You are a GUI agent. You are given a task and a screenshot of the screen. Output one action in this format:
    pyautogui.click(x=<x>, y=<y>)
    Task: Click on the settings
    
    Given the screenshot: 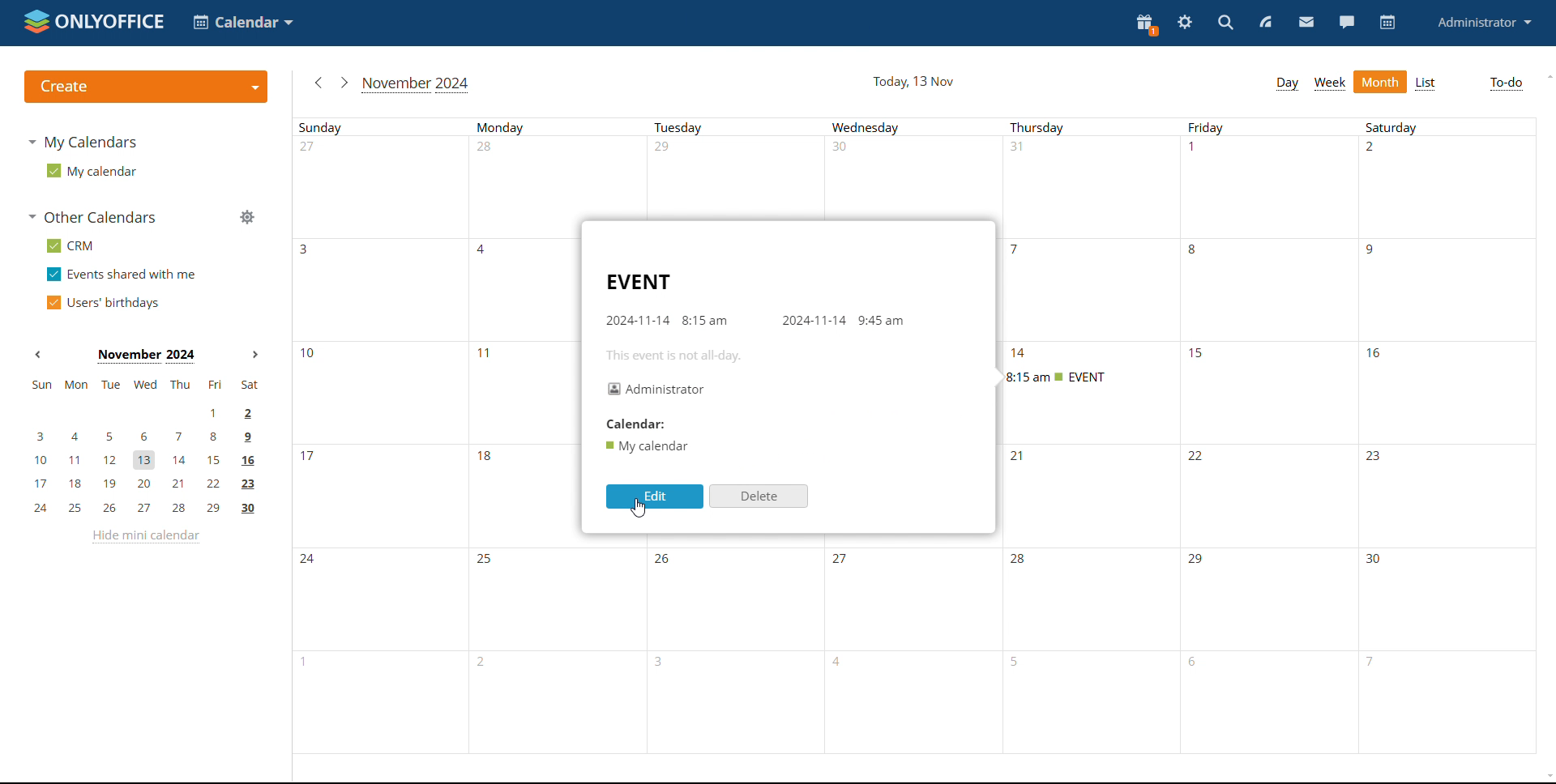 What is the action you would take?
    pyautogui.click(x=1186, y=23)
    